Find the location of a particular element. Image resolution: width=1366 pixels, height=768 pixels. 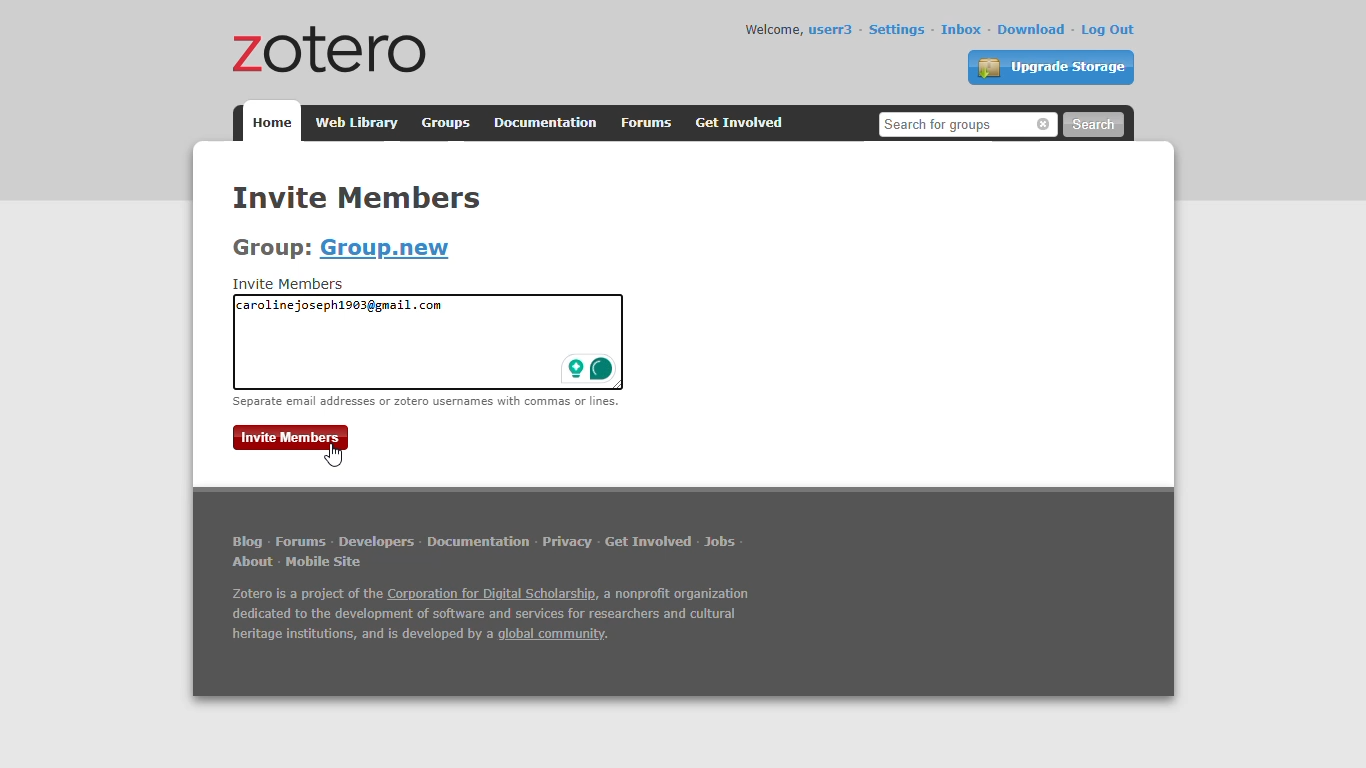

documentation is located at coordinates (546, 123).